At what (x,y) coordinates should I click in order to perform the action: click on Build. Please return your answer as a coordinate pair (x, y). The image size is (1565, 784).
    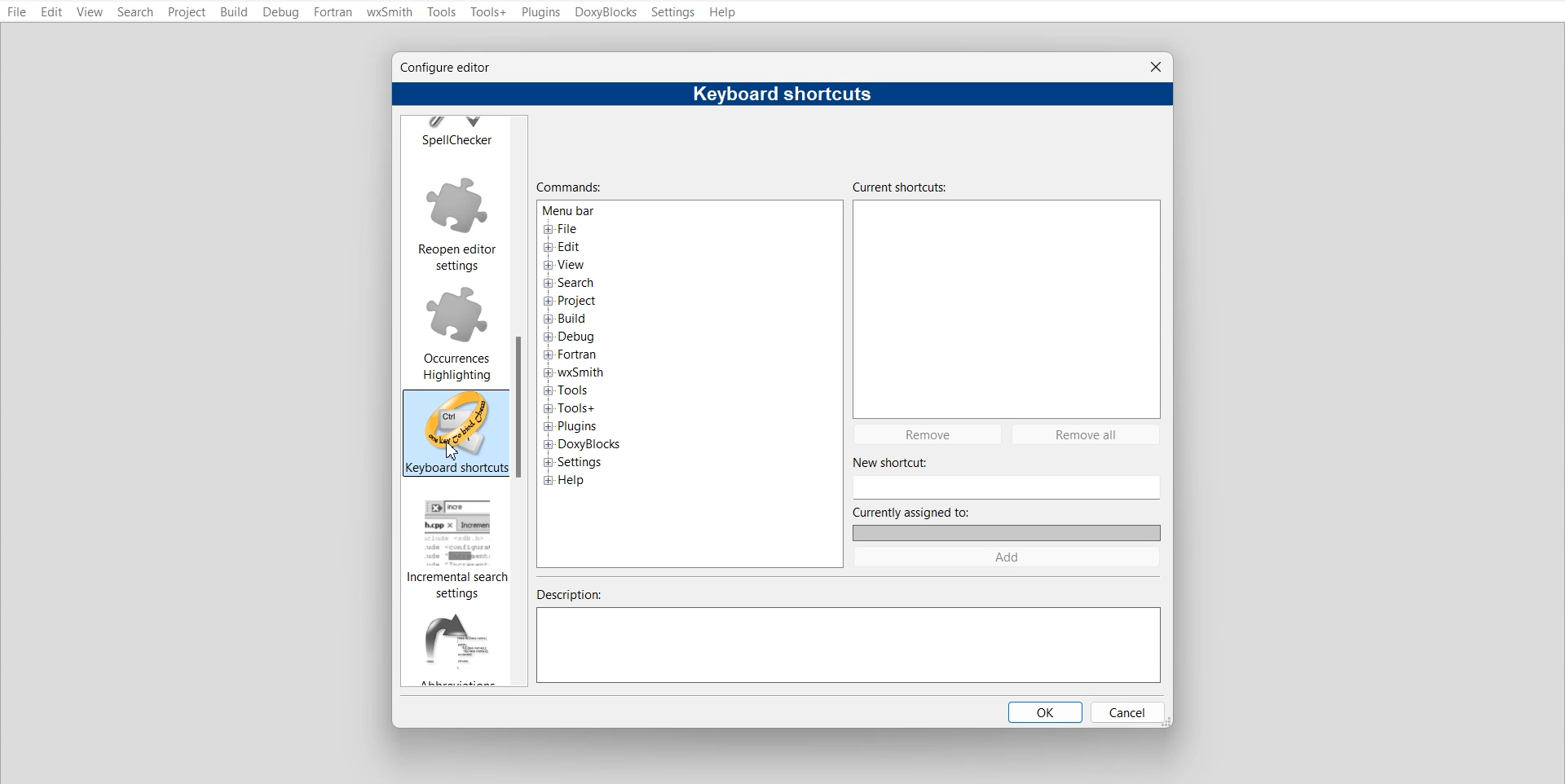
    Looking at the image, I should click on (232, 12).